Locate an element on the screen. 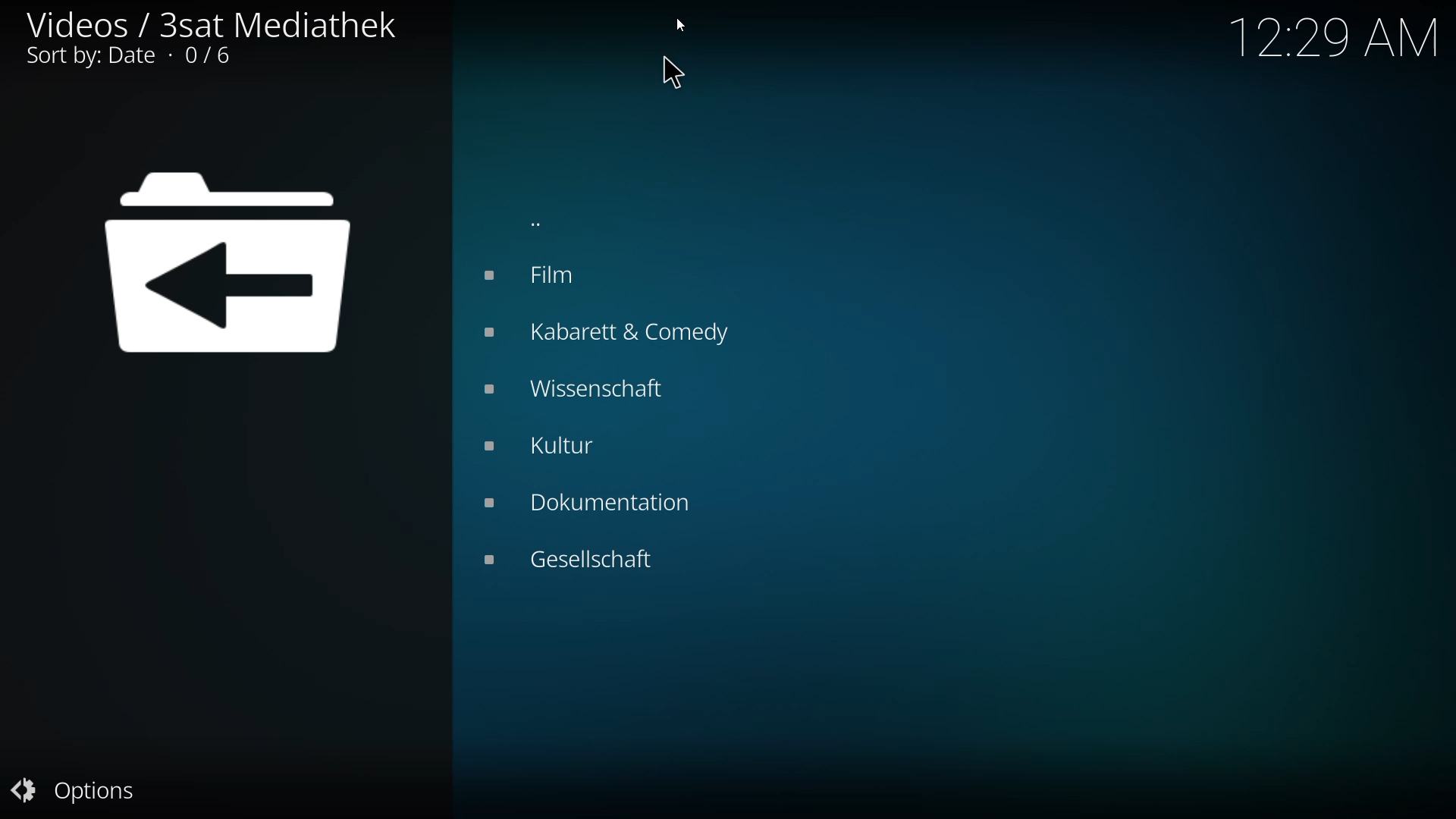  bac is located at coordinates (542, 221).